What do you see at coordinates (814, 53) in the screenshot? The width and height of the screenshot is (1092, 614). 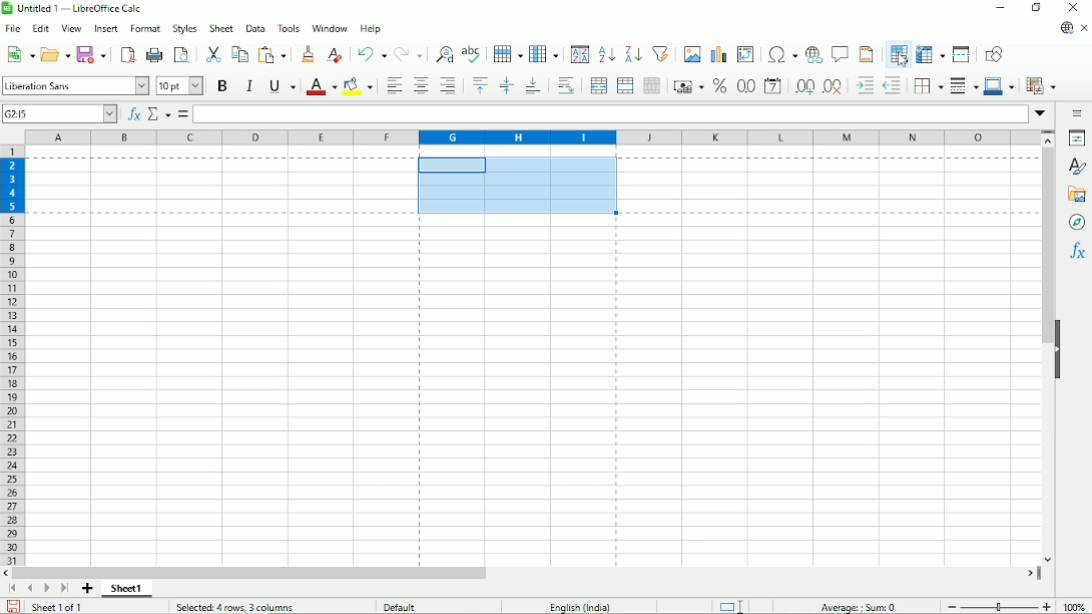 I see `Insert hyperlink` at bounding box center [814, 53].